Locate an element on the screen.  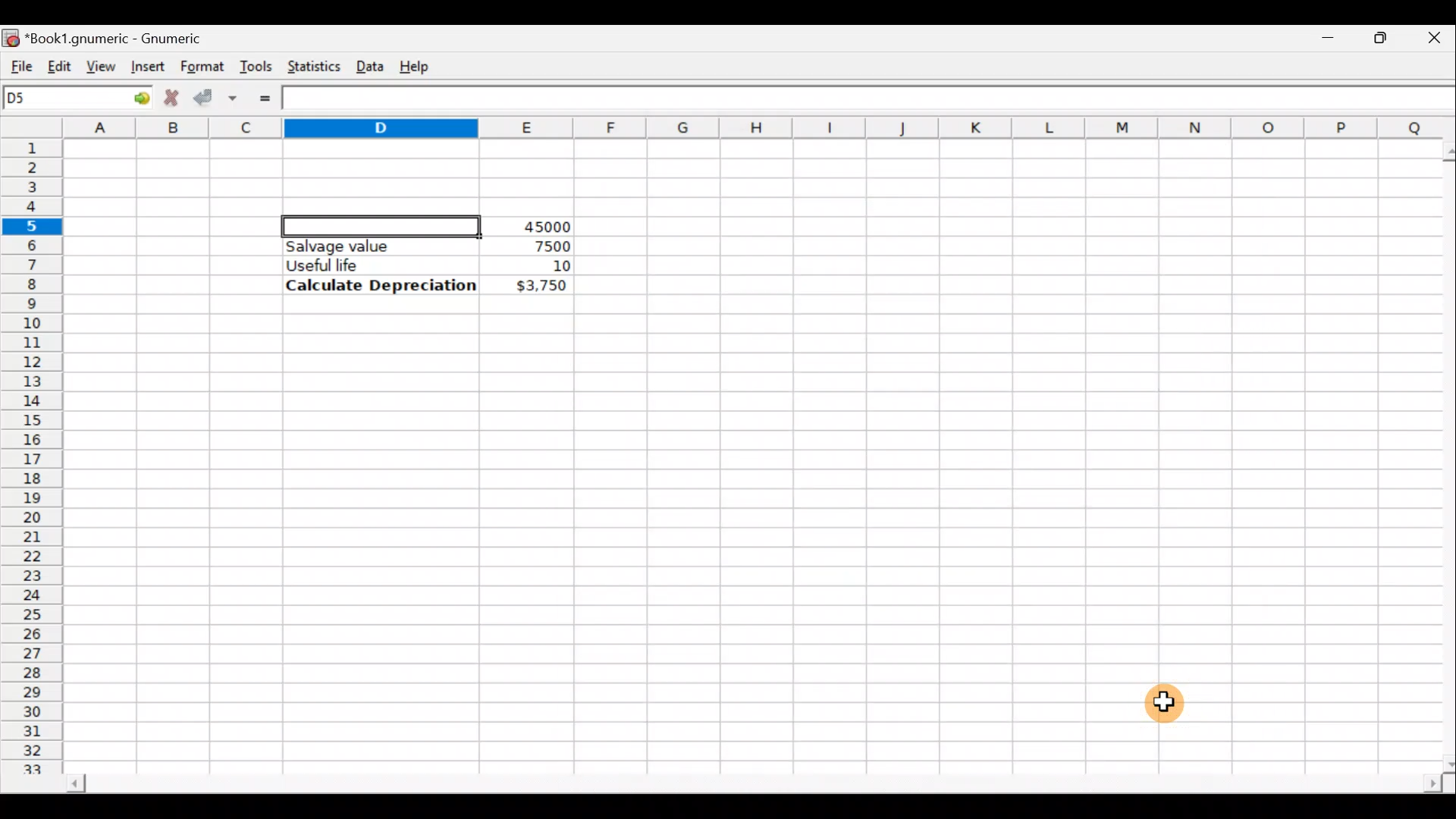
Cursor is located at coordinates (1166, 704).